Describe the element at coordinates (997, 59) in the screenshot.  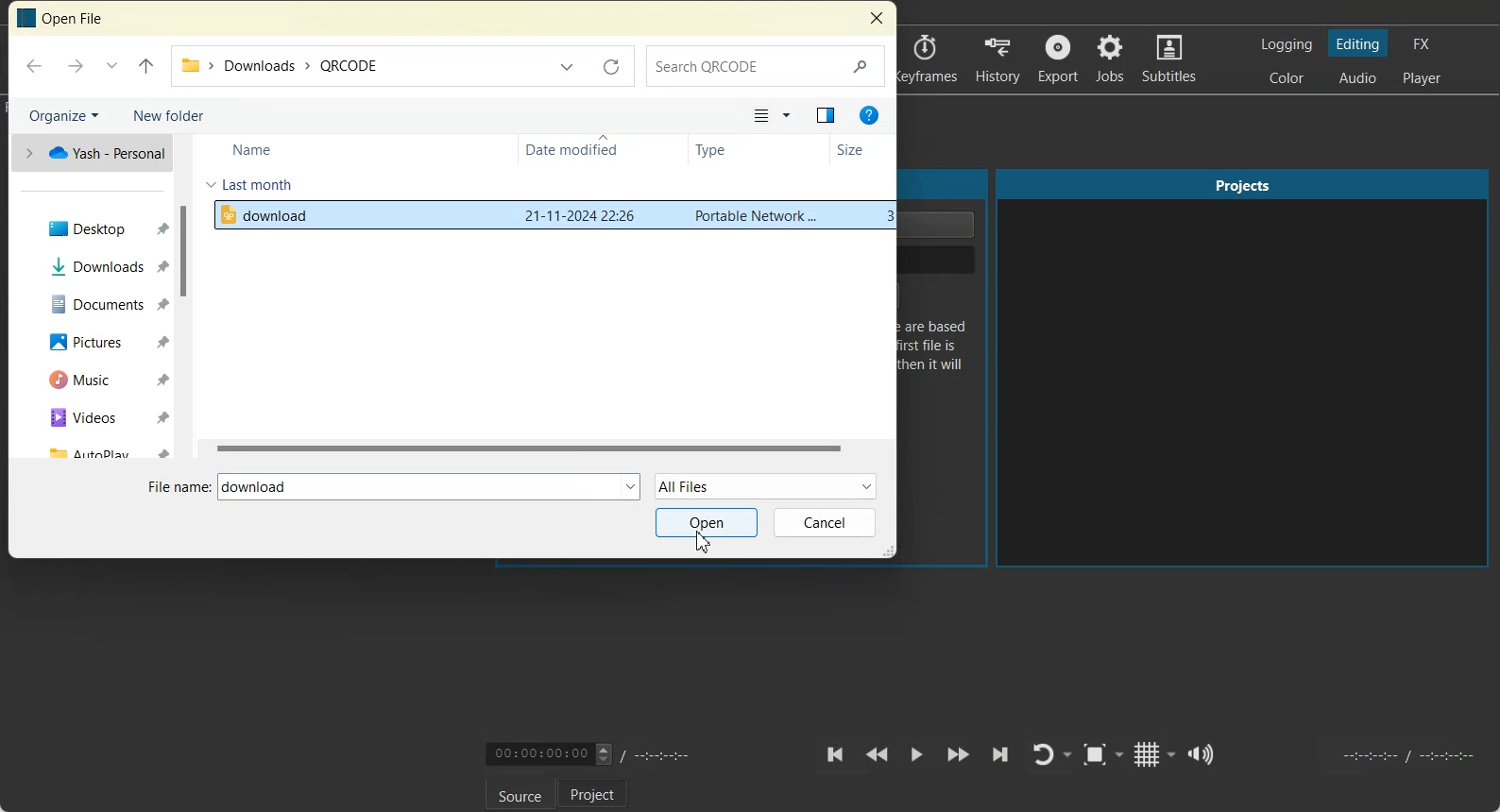
I see `History` at that location.